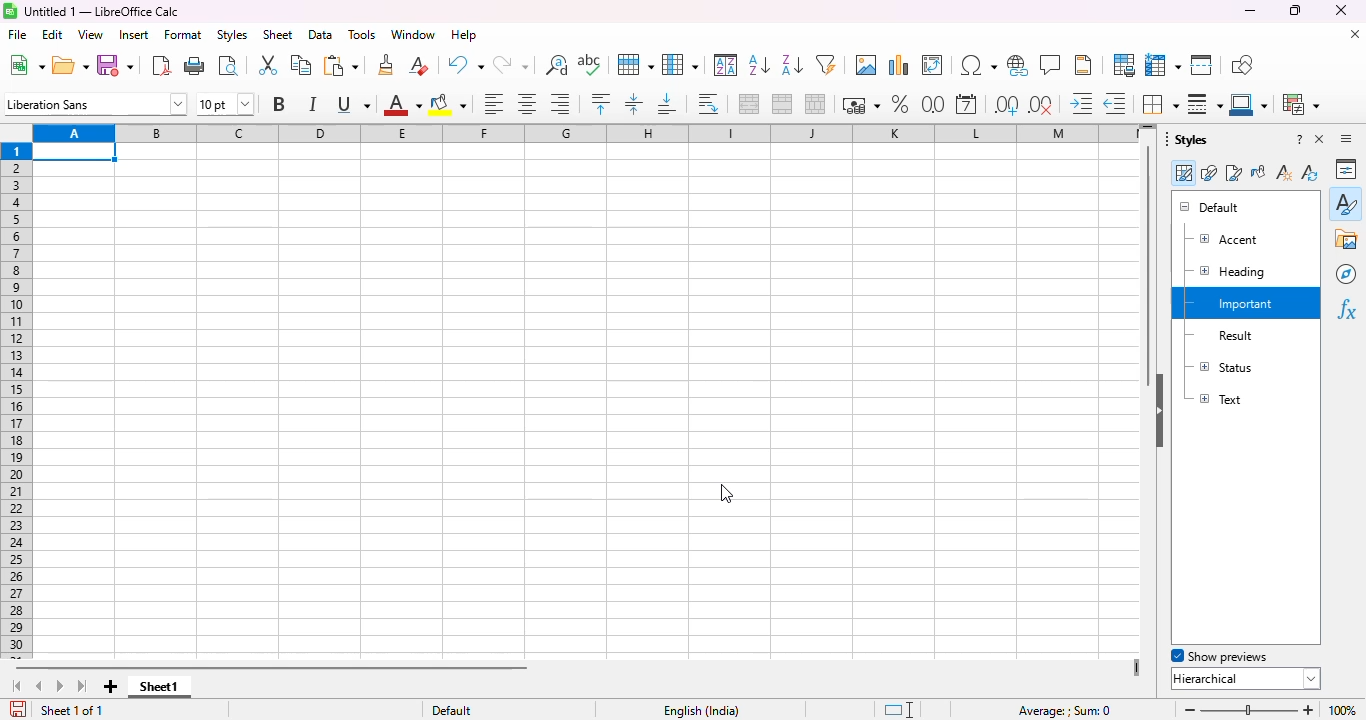 This screenshot has width=1366, height=720. Describe the element at coordinates (978, 65) in the screenshot. I see `insert special characters` at that location.